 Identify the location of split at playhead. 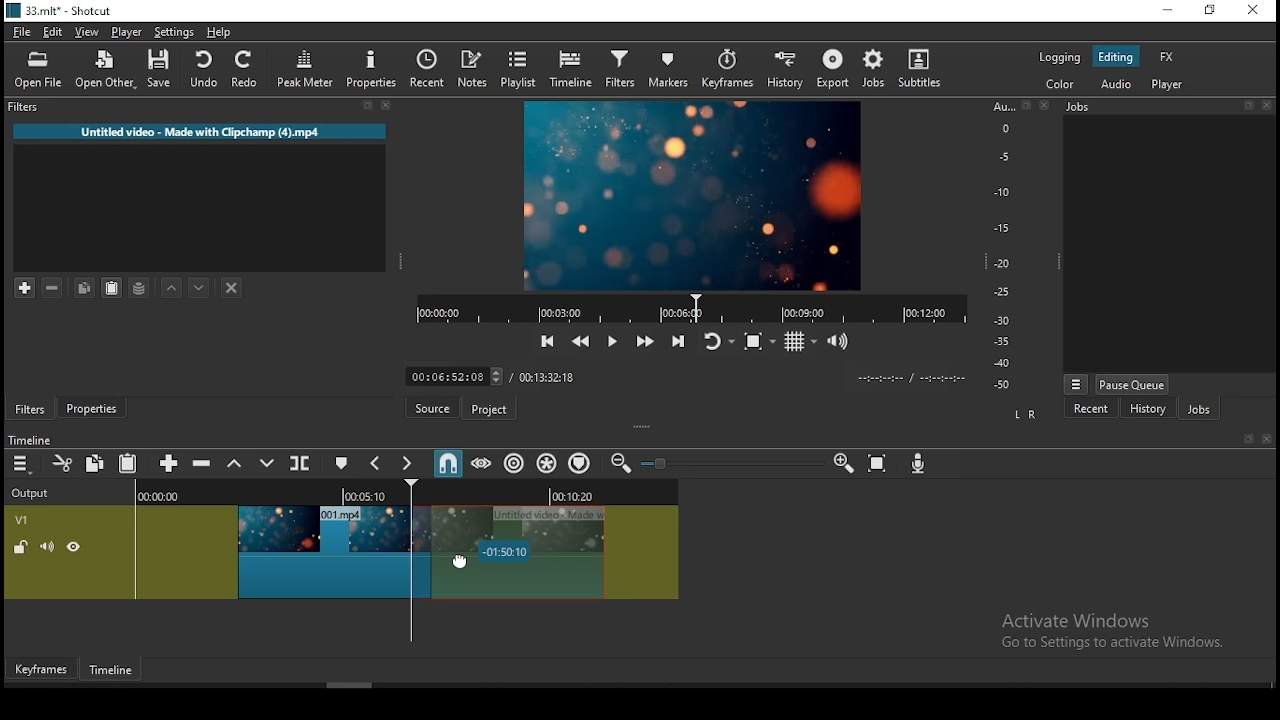
(303, 465).